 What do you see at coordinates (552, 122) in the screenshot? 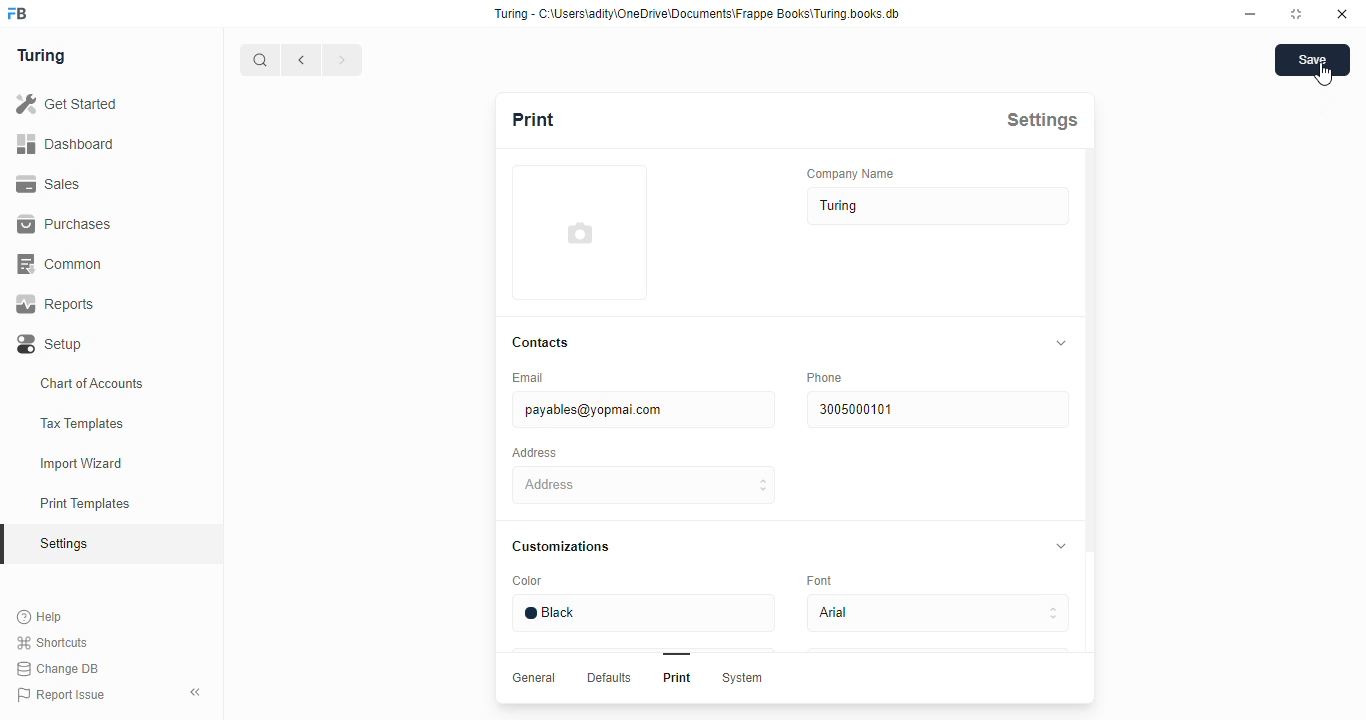
I see `Print` at bounding box center [552, 122].